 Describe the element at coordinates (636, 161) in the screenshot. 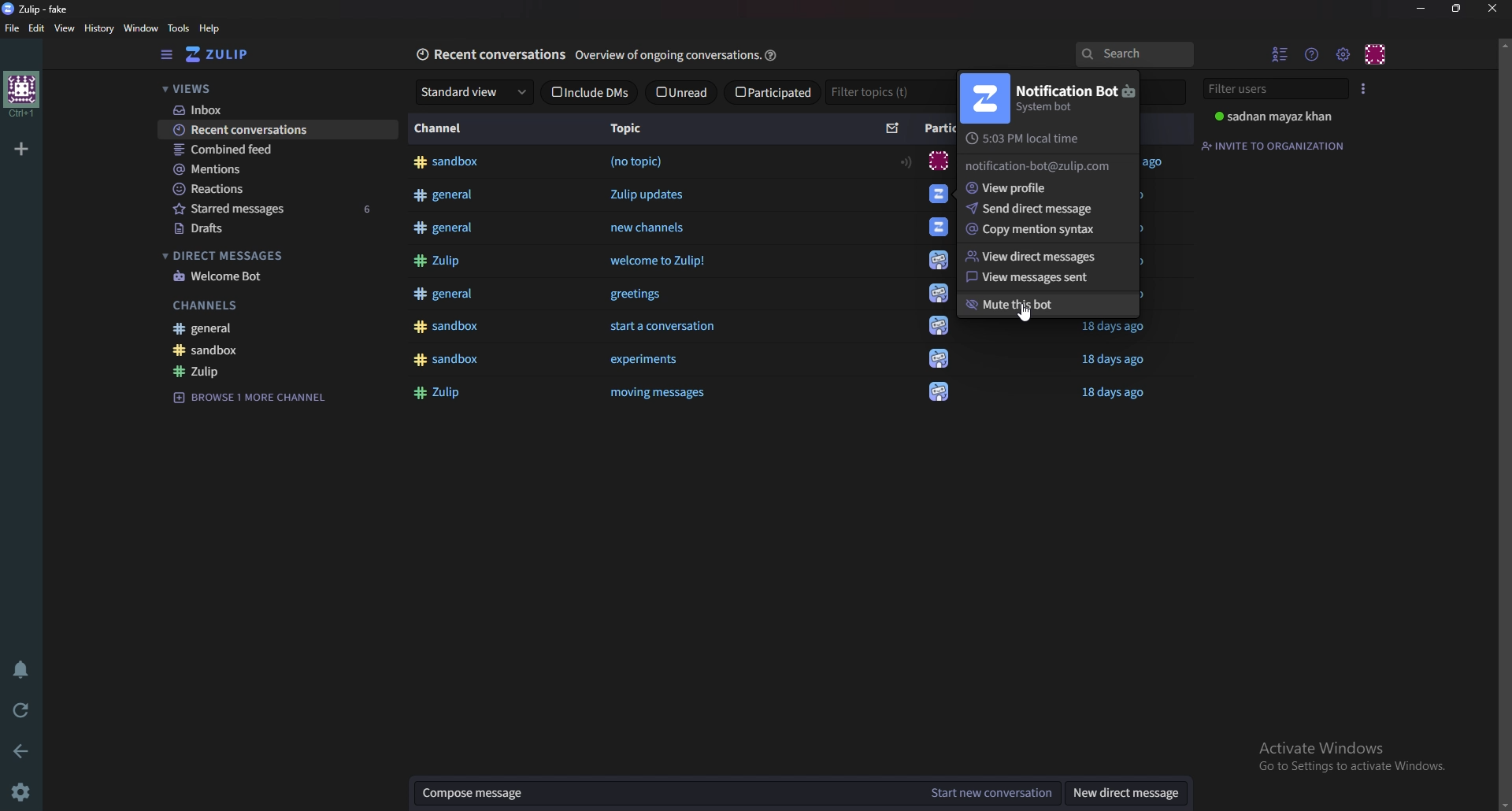

I see `(no topic)` at that location.